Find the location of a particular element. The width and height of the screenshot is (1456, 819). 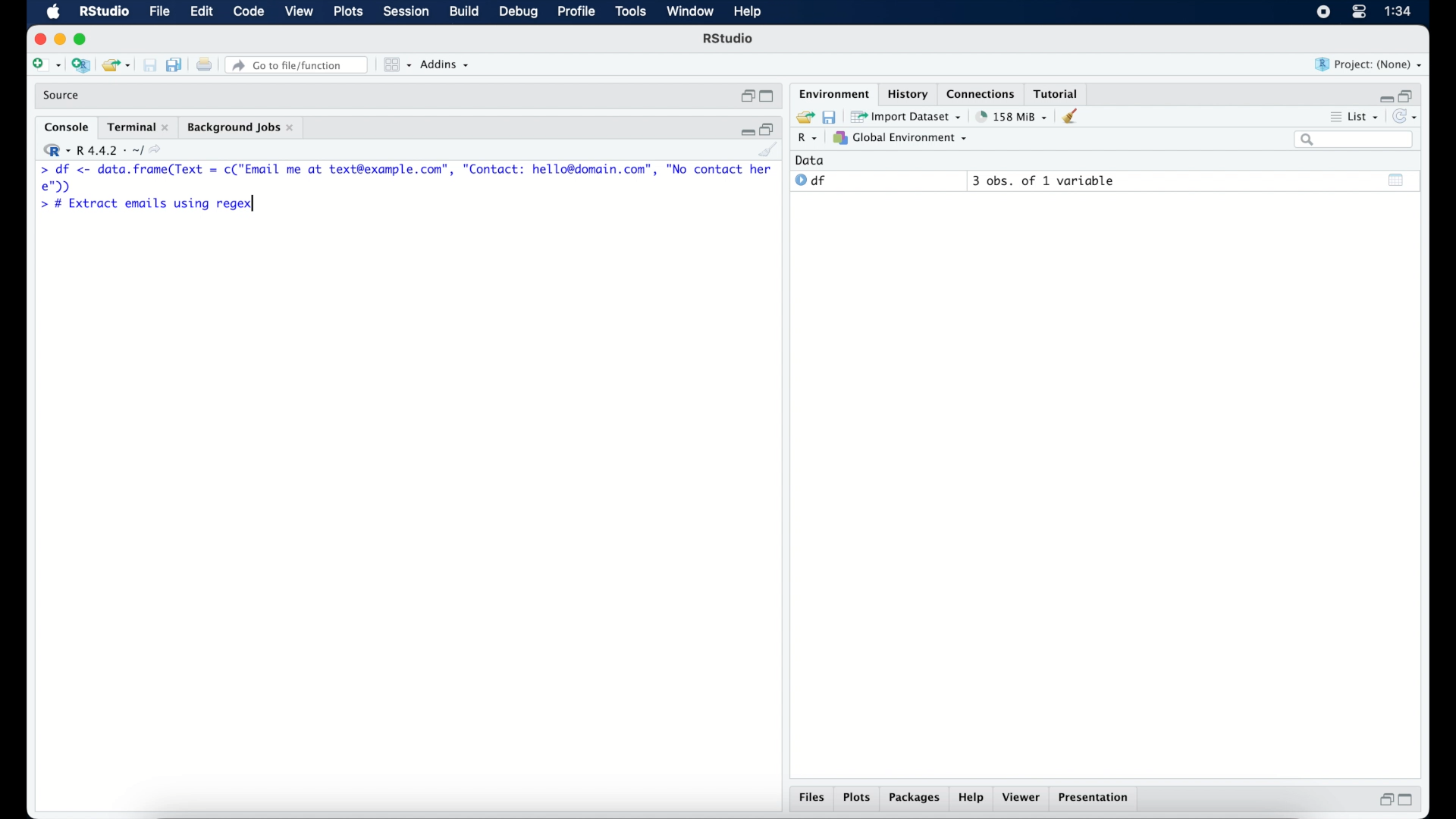

df is located at coordinates (811, 180).